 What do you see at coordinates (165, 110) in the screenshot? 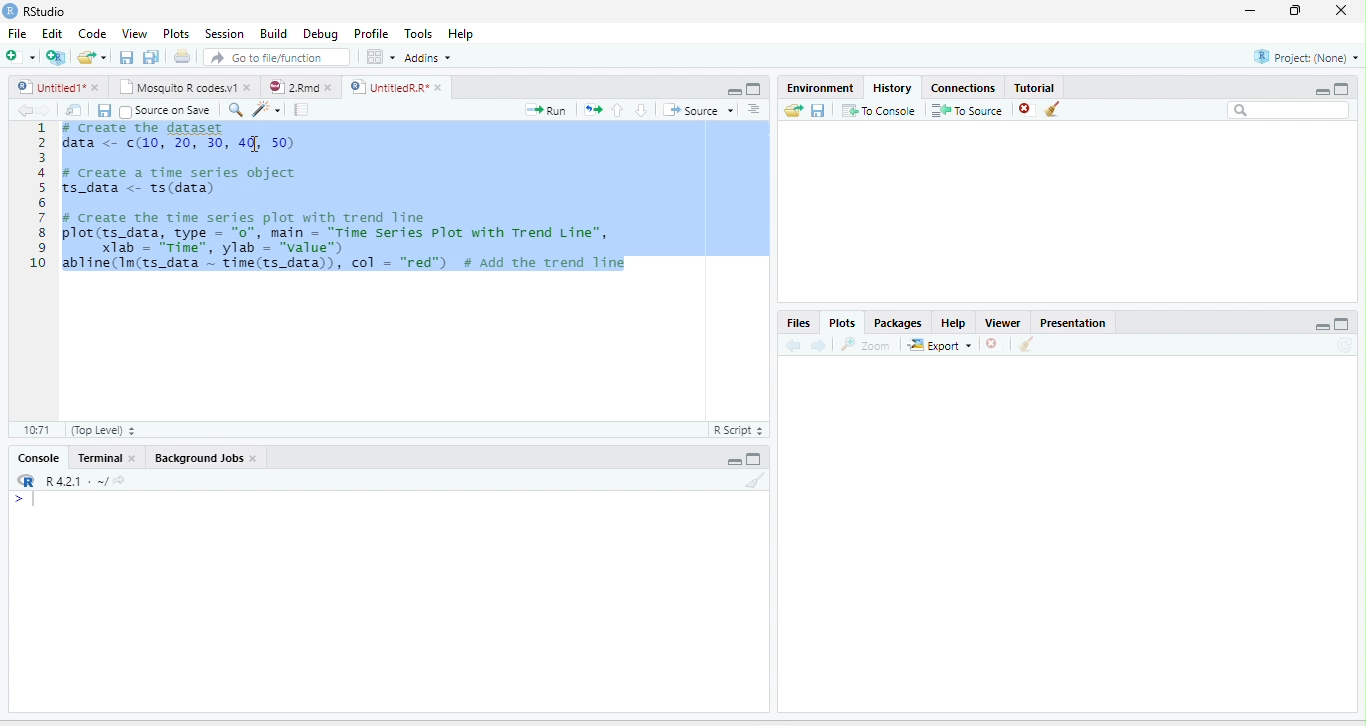
I see `Source on Save` at bounding box center [165, 110].